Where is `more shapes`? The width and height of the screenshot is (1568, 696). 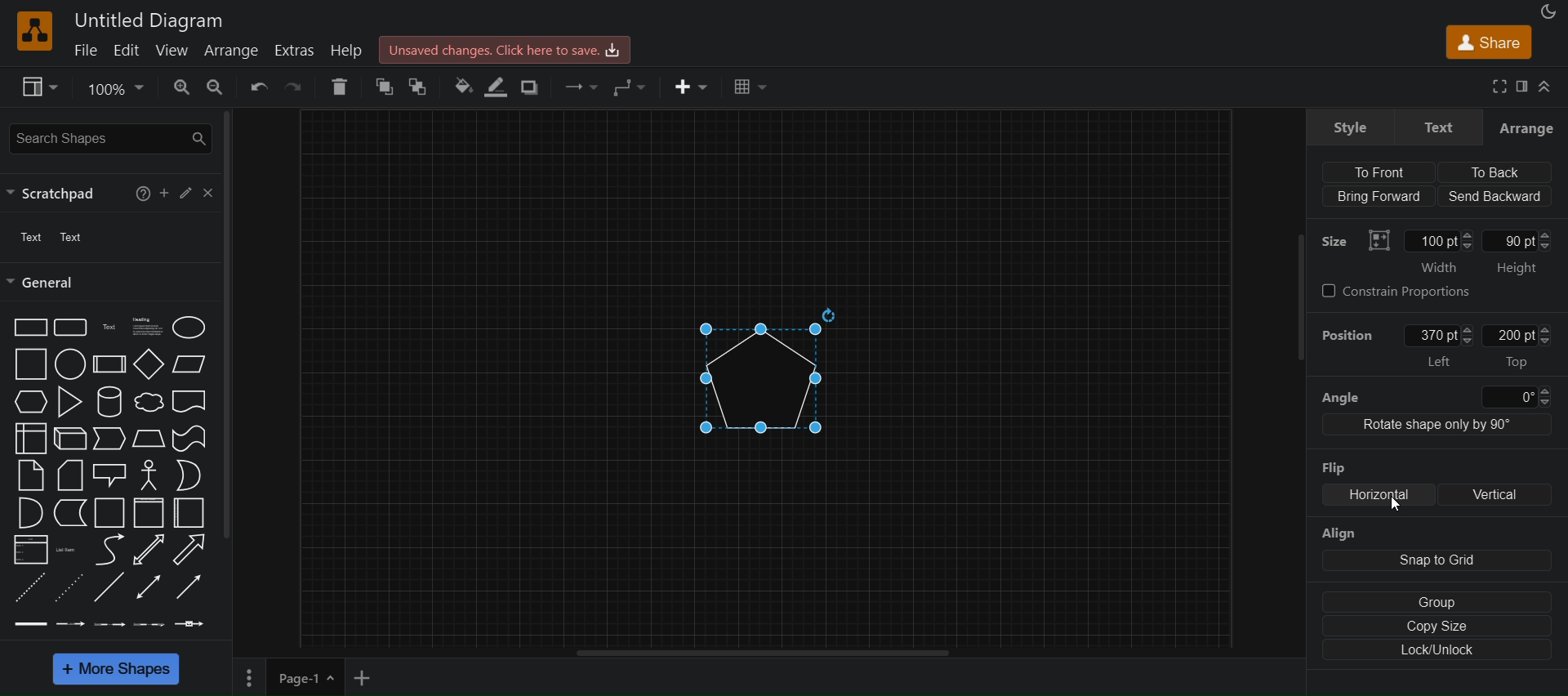
more shapes is located at coordinates (116, 669).